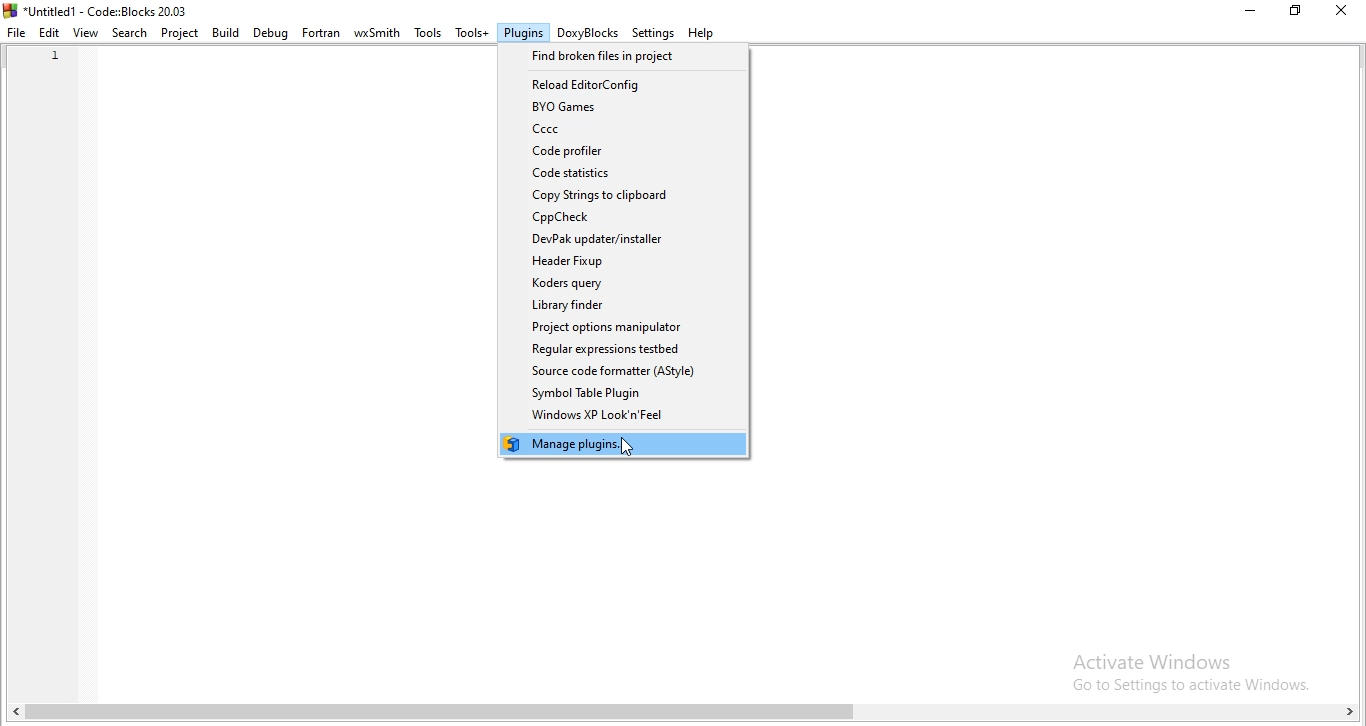 This screenshot has width=1366, height=726. I want to click on *Untitled1 - Code::Blocks 20.03, so click(97, 10).